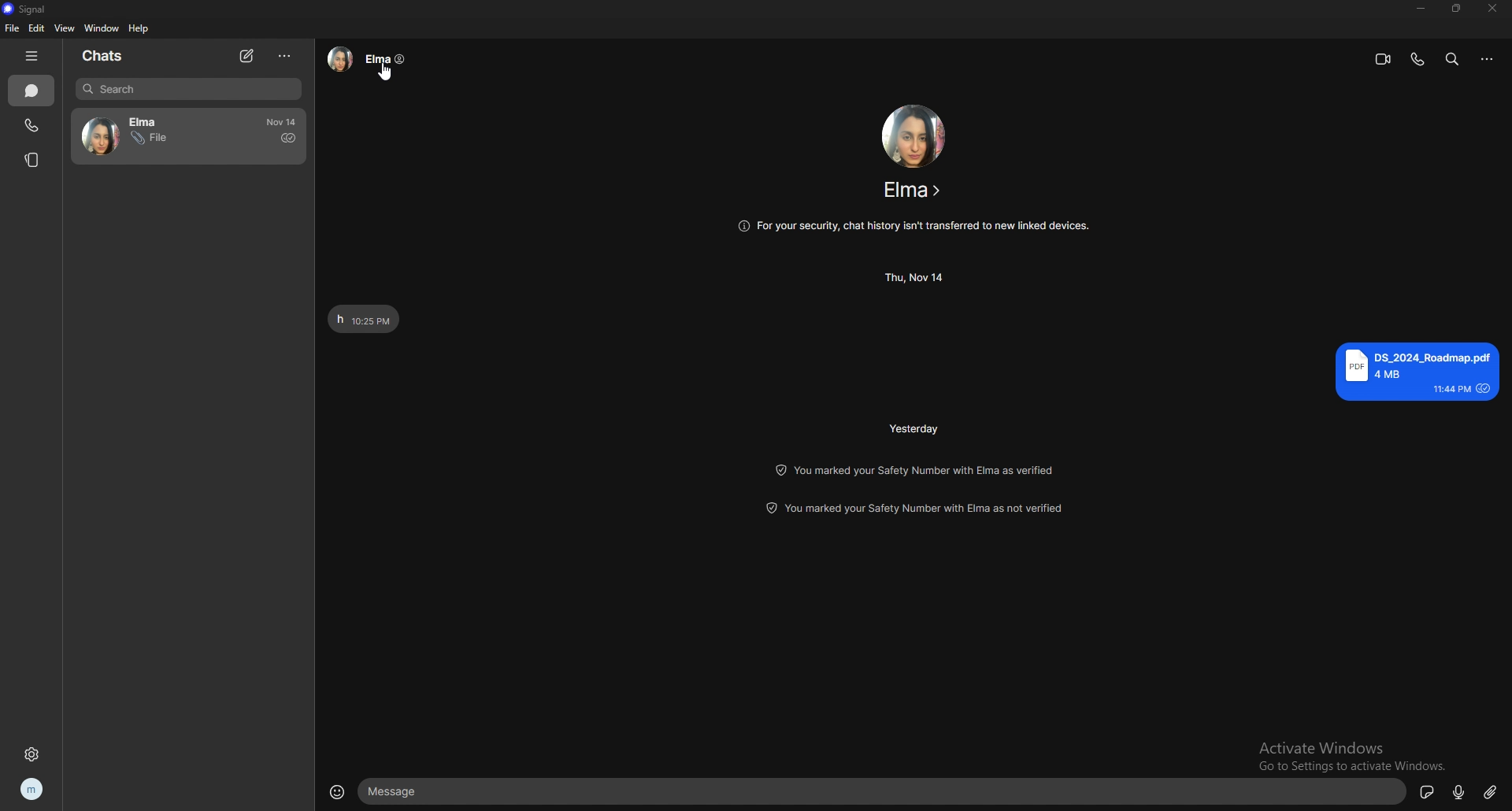  I want to click on search message, so click(1452, 59).